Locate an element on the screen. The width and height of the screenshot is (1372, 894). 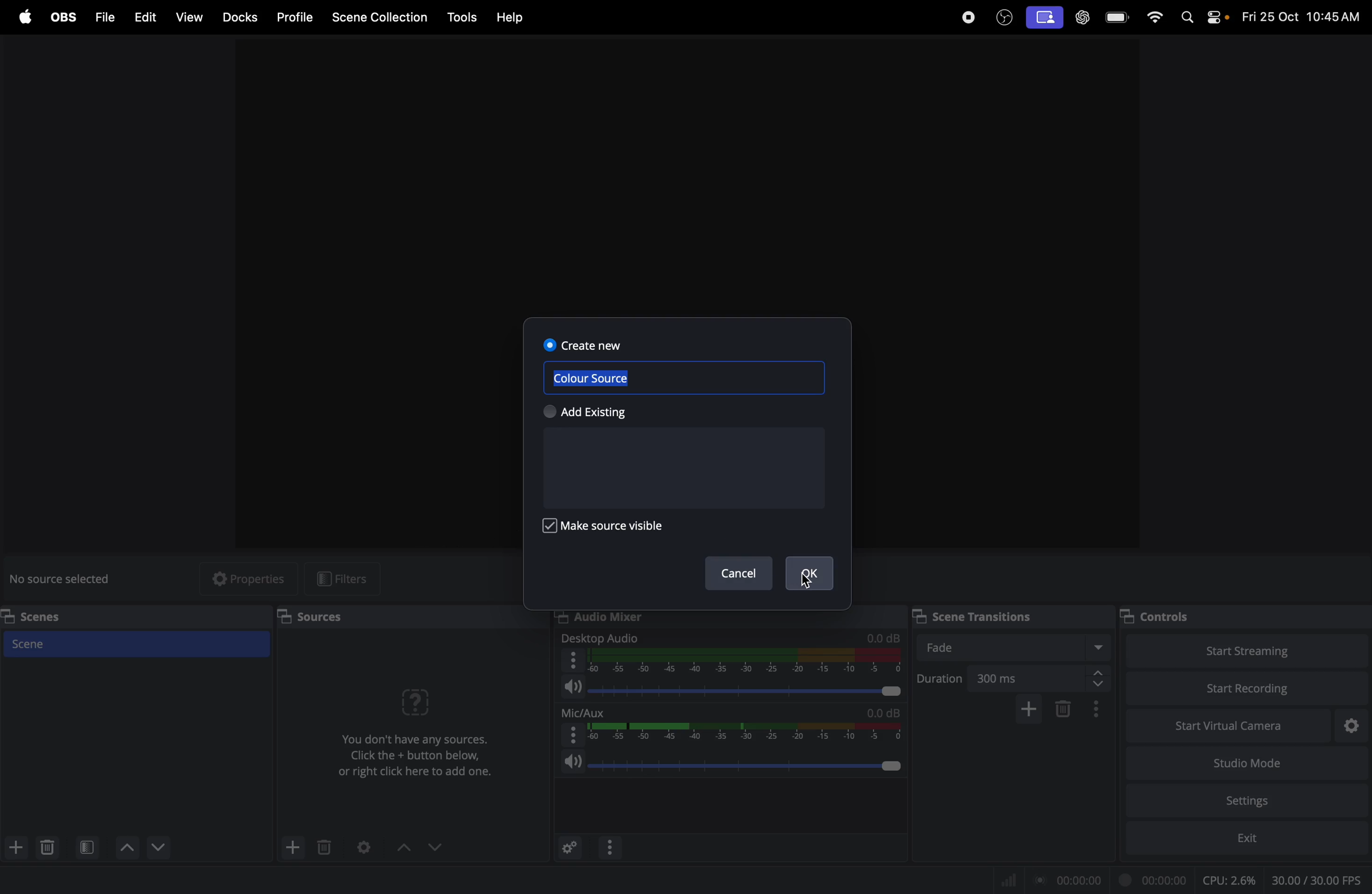
apple menu is located at coordinates (25, 17).